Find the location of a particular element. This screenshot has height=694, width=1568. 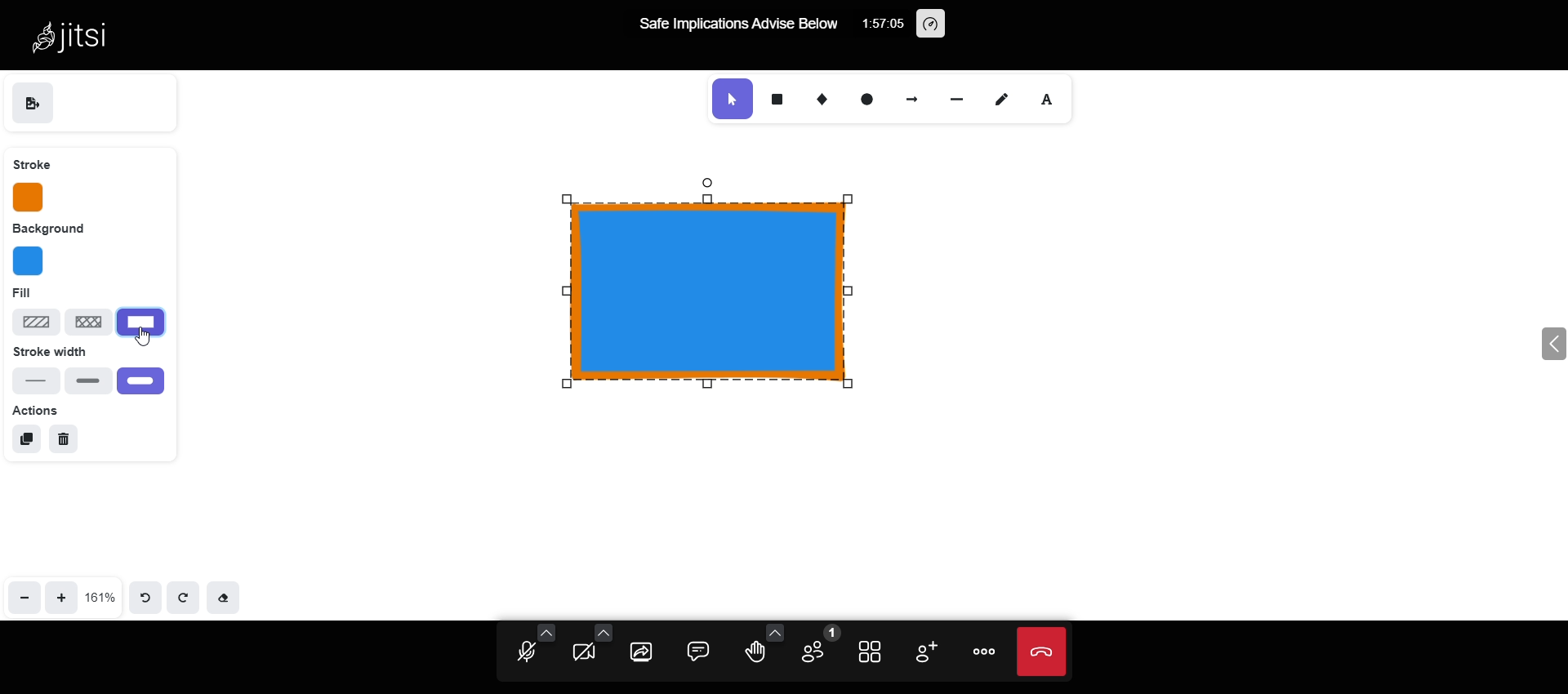

draw is located at coordinates (1004, 99).